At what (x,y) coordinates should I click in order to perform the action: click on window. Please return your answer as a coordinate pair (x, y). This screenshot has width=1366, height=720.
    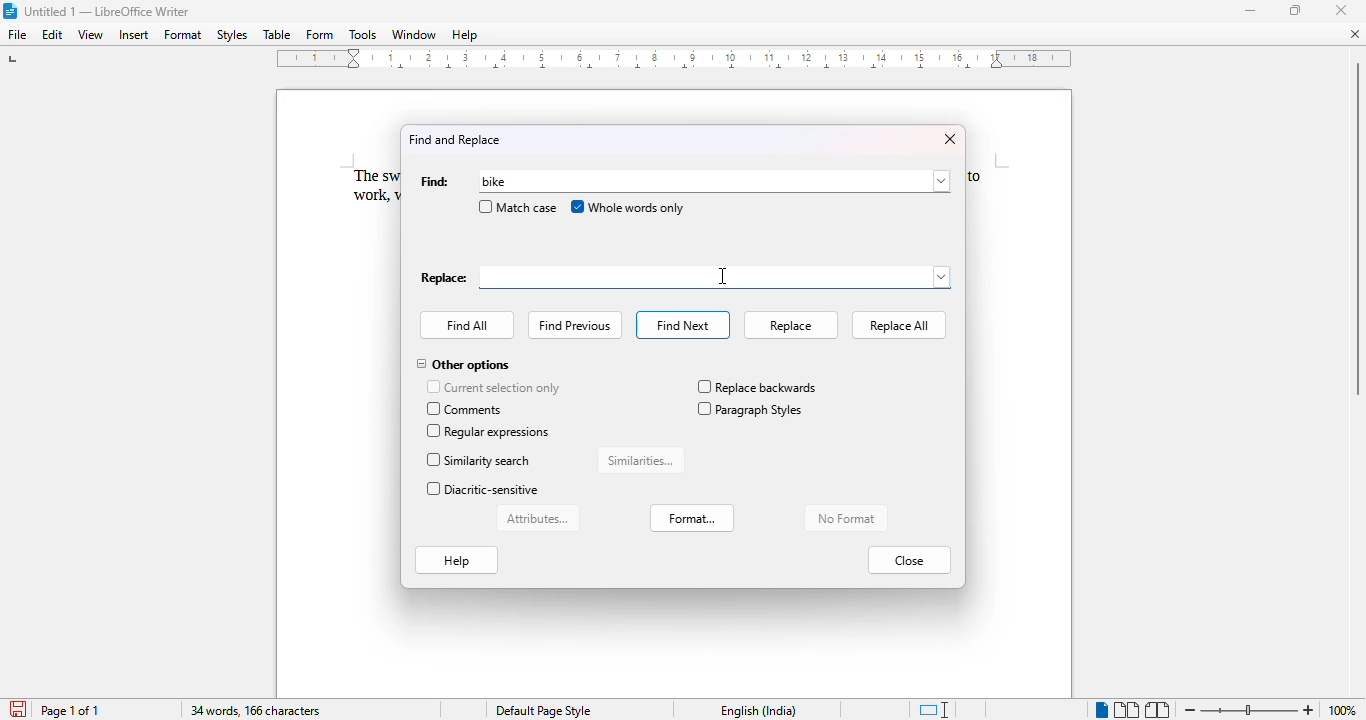
    Looking at the image, I should click on (413, 35).